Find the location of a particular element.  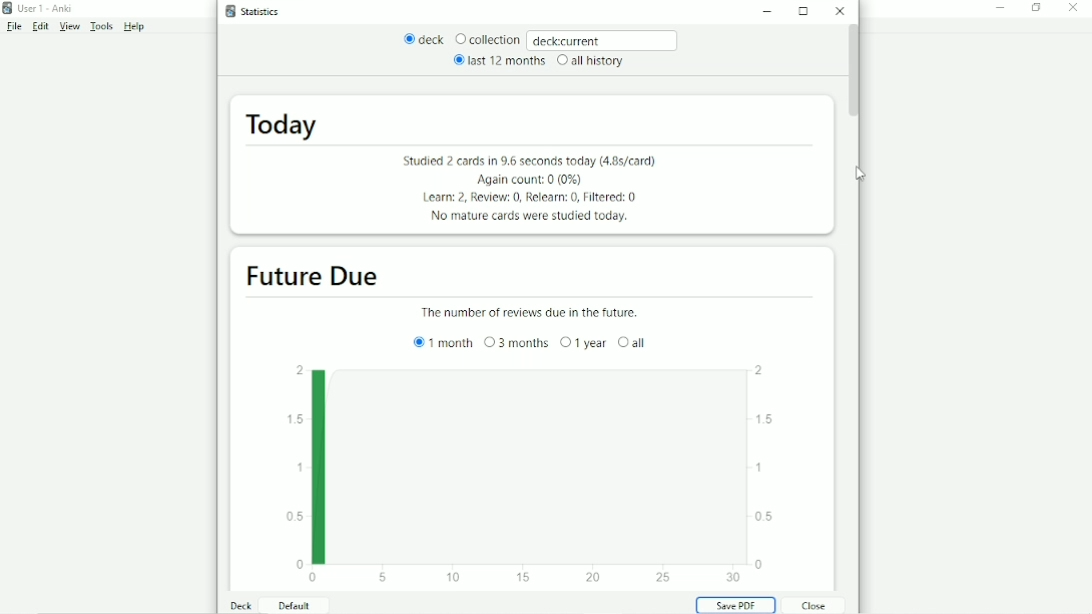

The number of reviews due in the future. is located at coordinates (533, 312).